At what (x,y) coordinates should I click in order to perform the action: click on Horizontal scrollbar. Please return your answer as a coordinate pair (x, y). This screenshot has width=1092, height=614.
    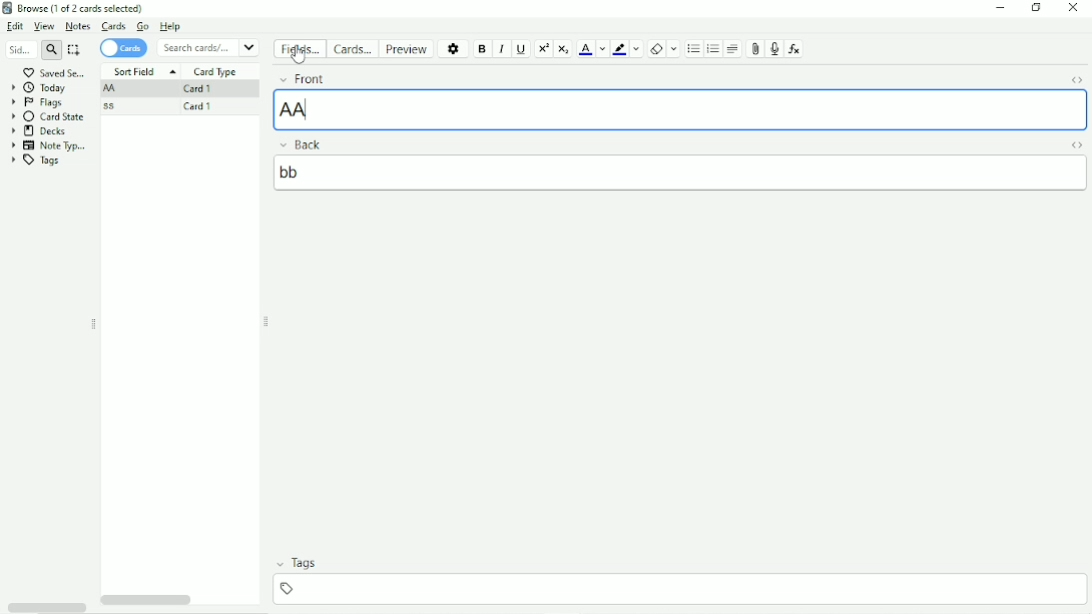
    Looking at the image, I should click on (149, 600).